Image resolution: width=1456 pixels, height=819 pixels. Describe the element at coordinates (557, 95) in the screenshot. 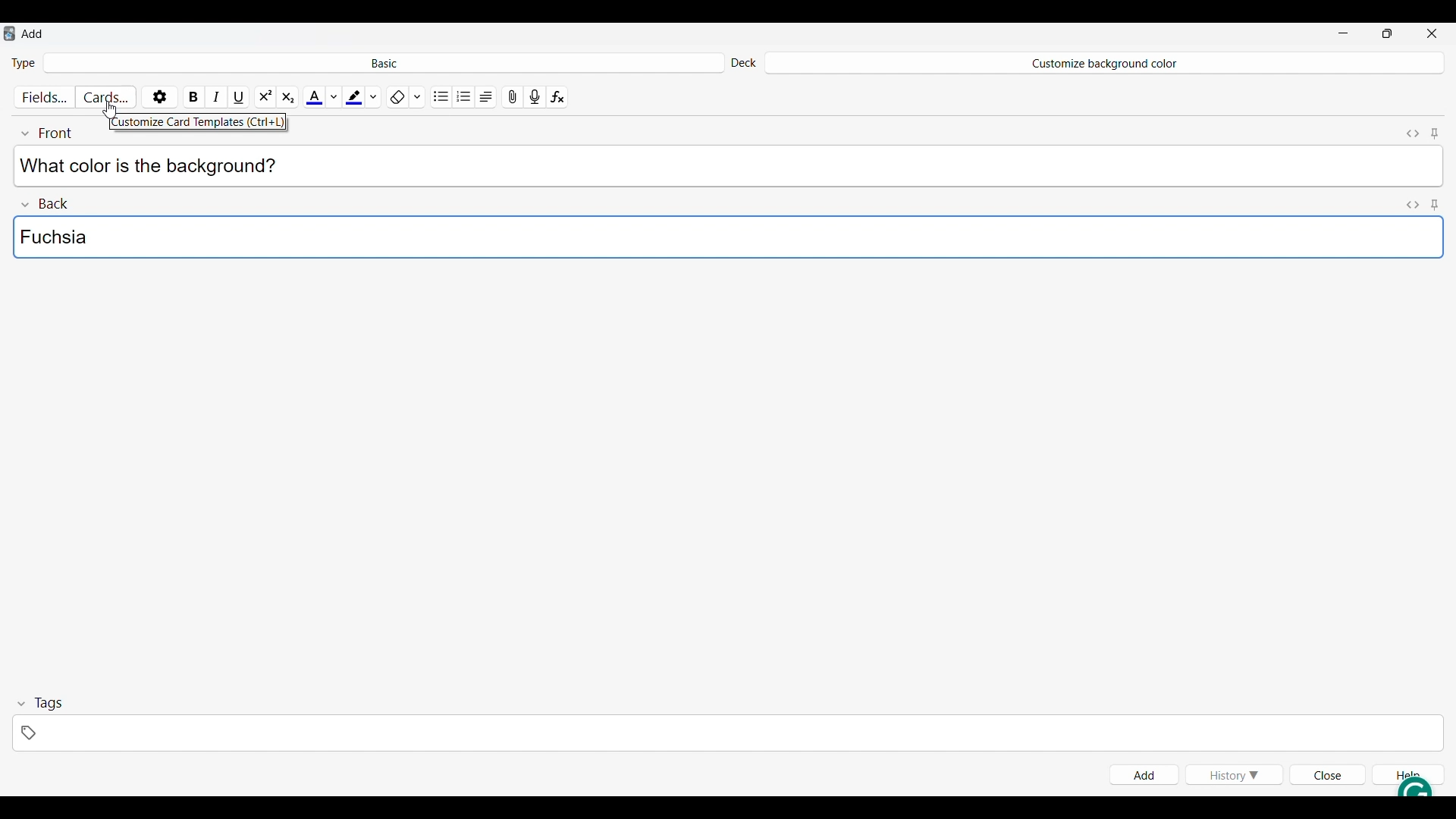

I see `Equations` at that location.